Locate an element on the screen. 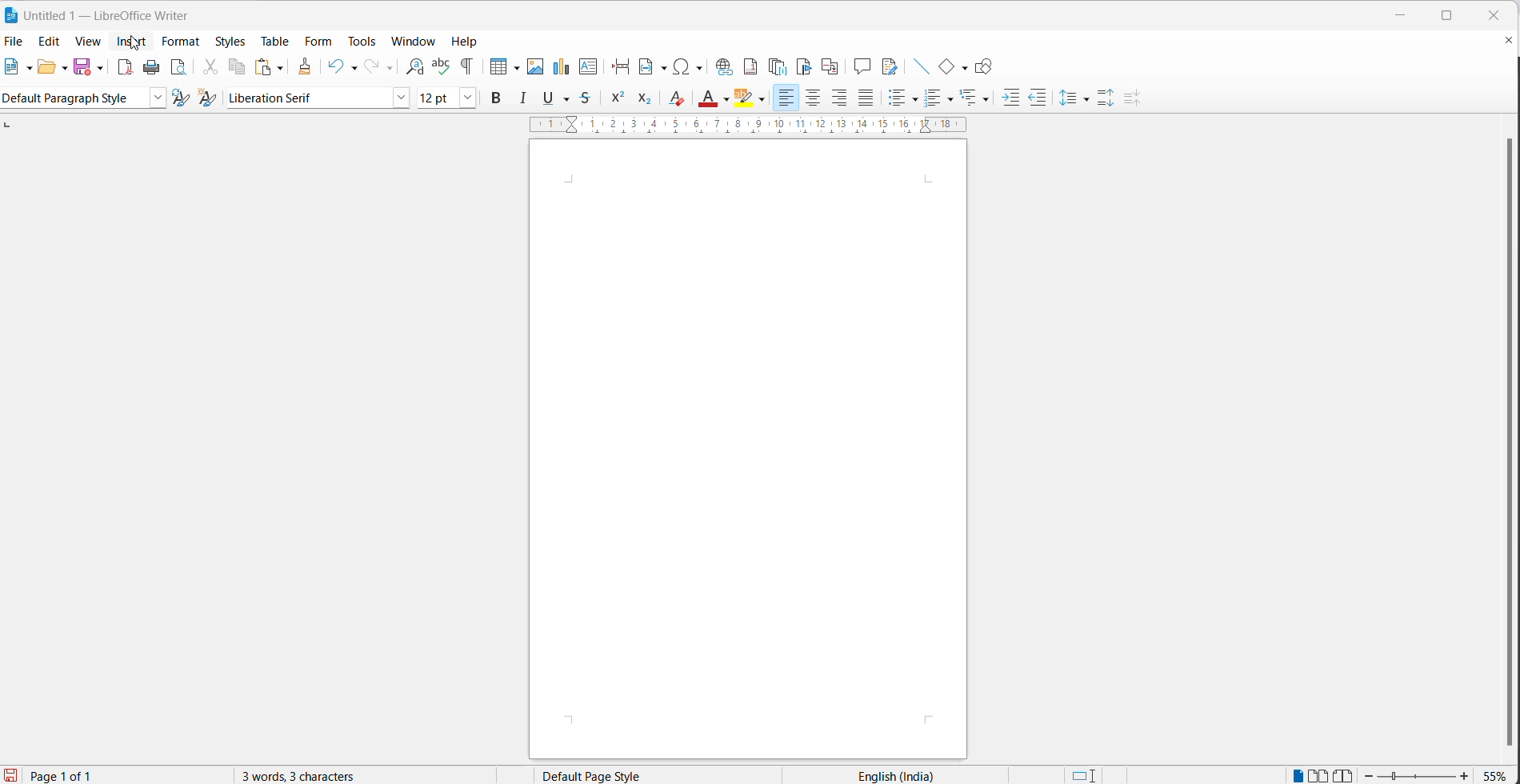 The height and width of the screenshot is (784, 1520). save as is located at coordinates (100, 68).